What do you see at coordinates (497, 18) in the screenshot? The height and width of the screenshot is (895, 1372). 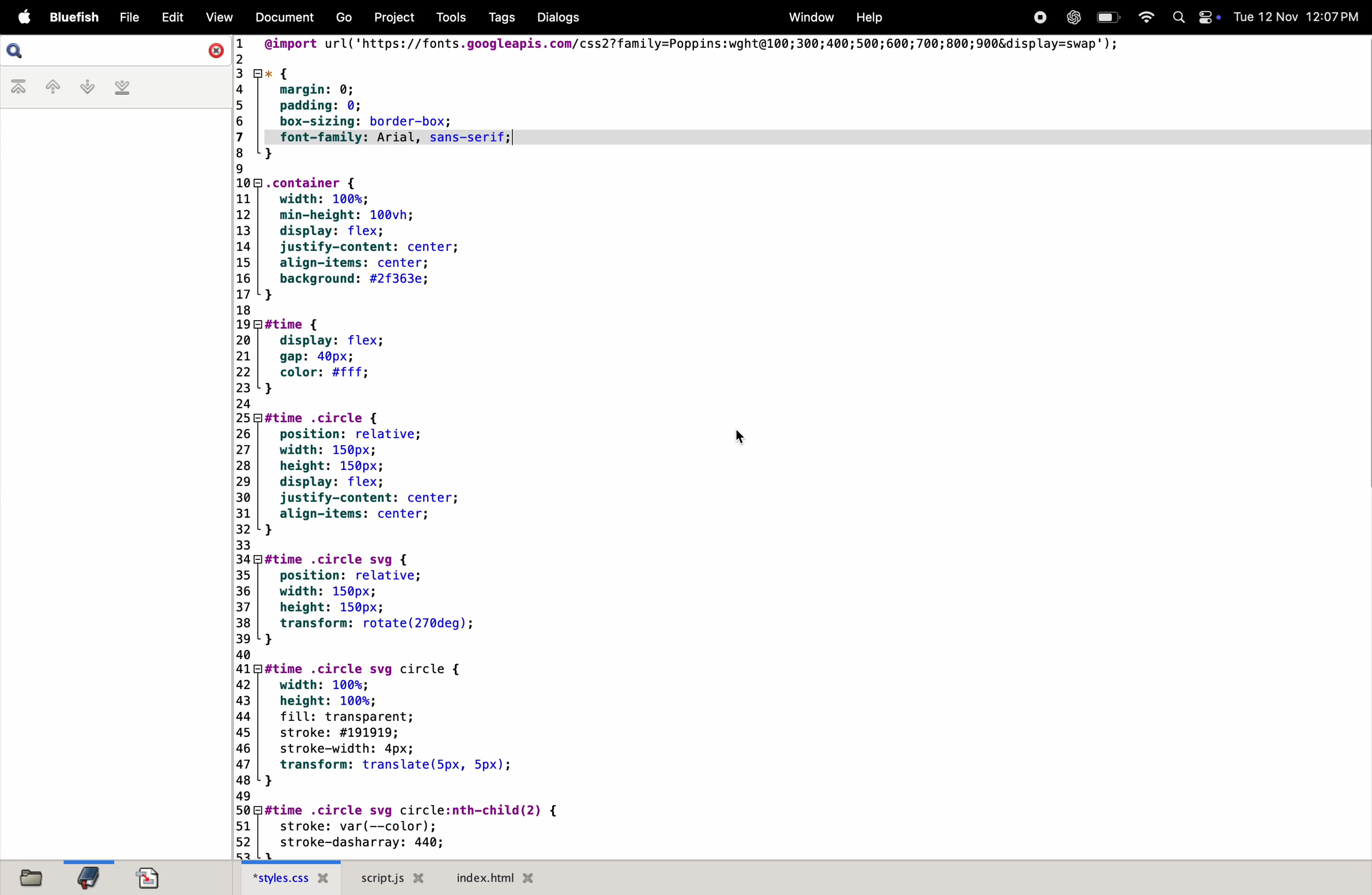 I see `tags` at bounding box center [497, 18].